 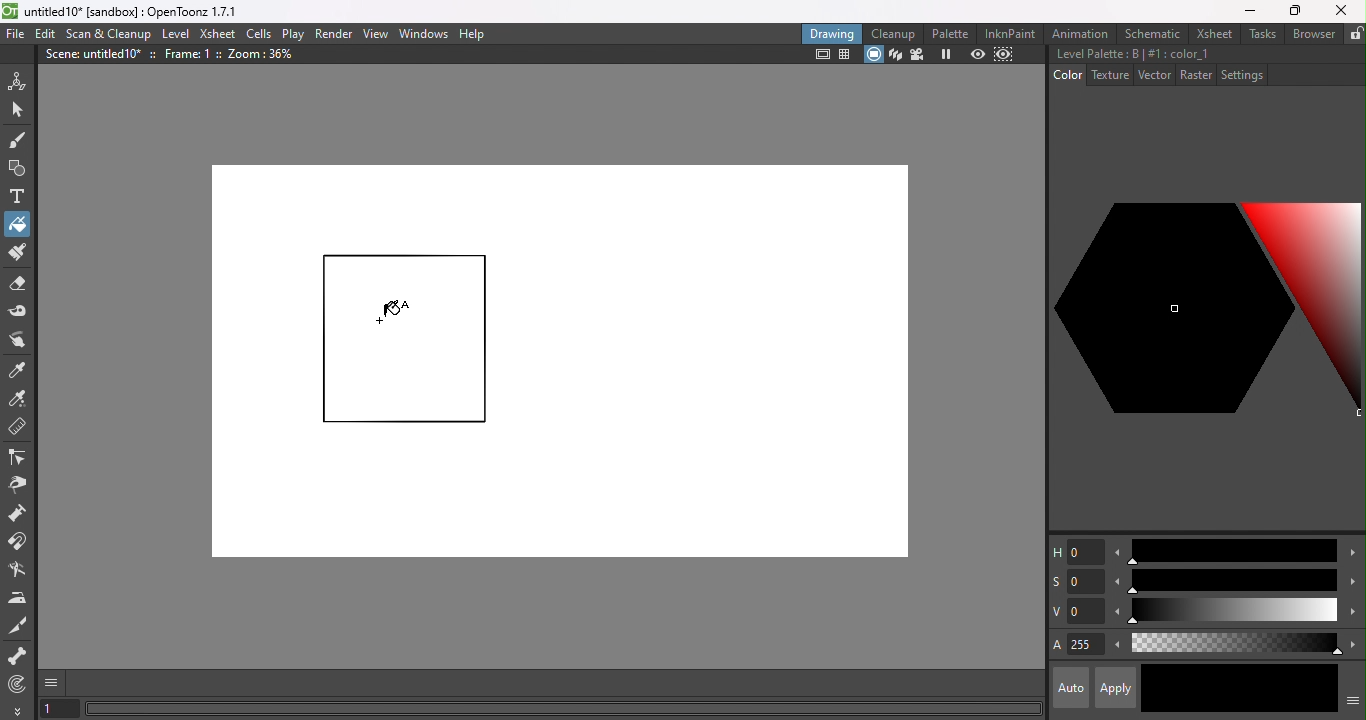 What do you see at coordinates (1234, 644) in the screenshot?
I see `Slide bar` at bounding box center [1234, 644].